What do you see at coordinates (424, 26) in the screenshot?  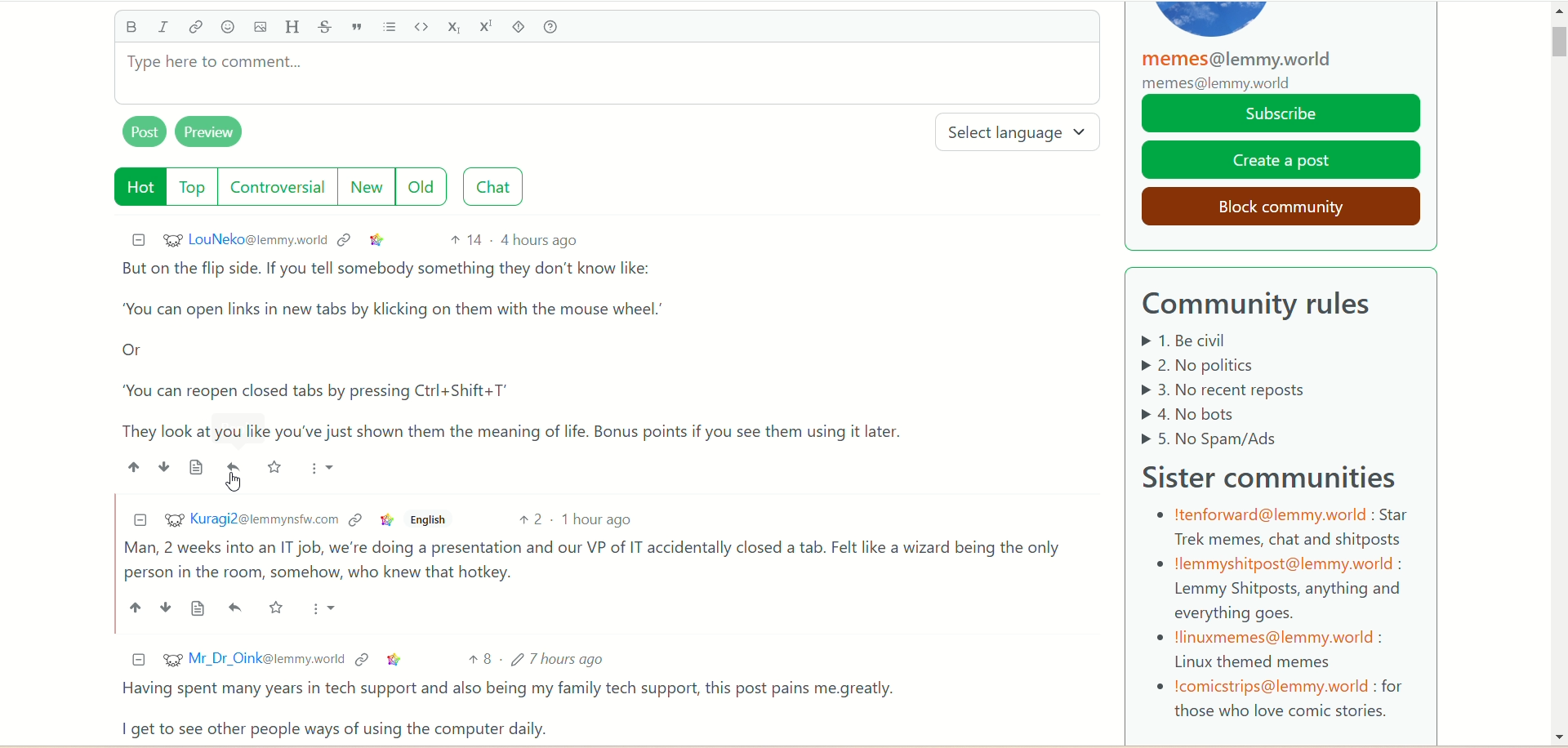 I see `code` at bounding box center [424, 26].